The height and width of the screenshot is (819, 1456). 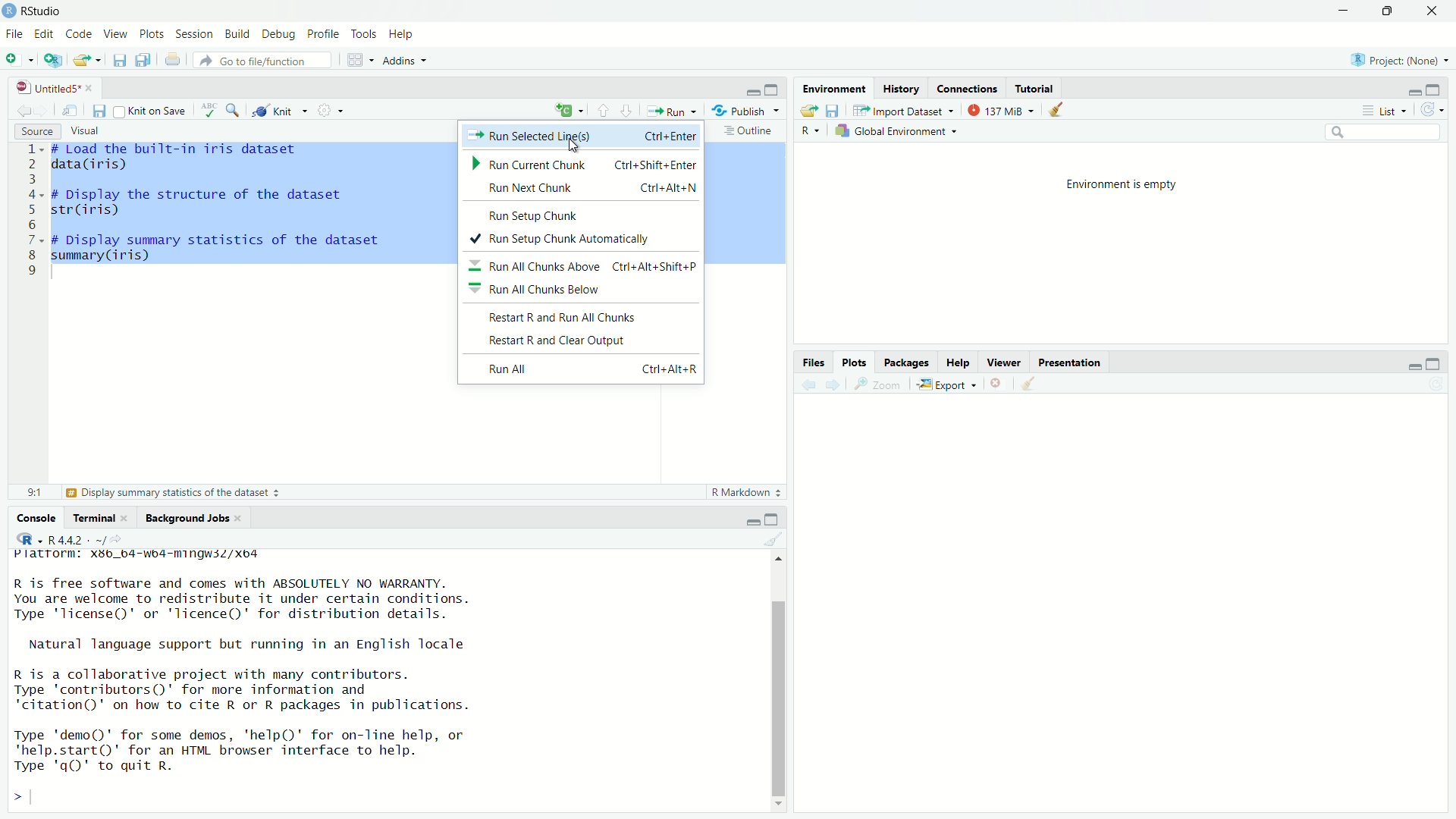 What do you see at coordinates (38, 131) in the screenshot?
I see `Source` at bounding box center [38, 131].